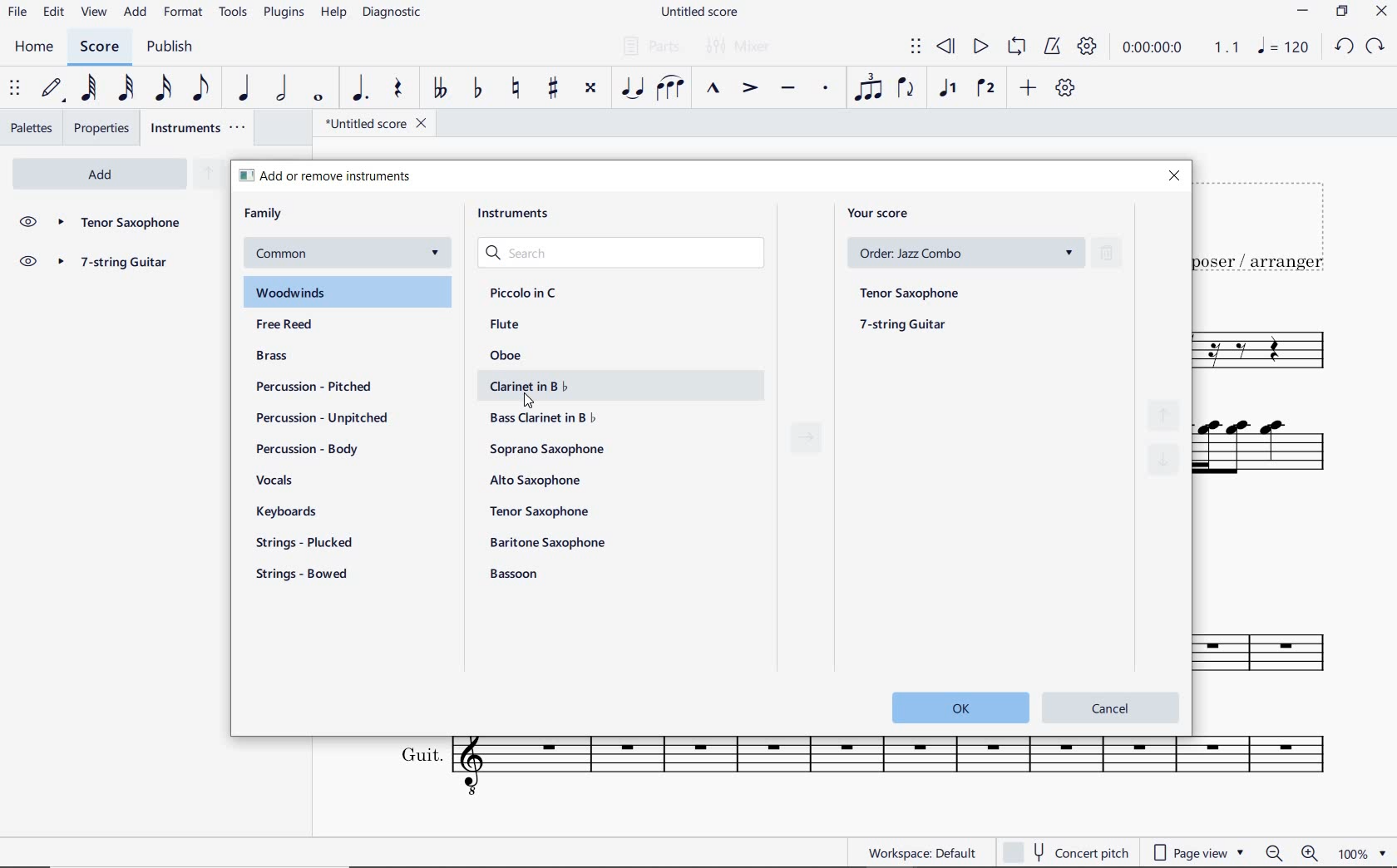  Describe the element at coordinates (284, 13) in the screenshot. I see `PLUGINS` at that location.